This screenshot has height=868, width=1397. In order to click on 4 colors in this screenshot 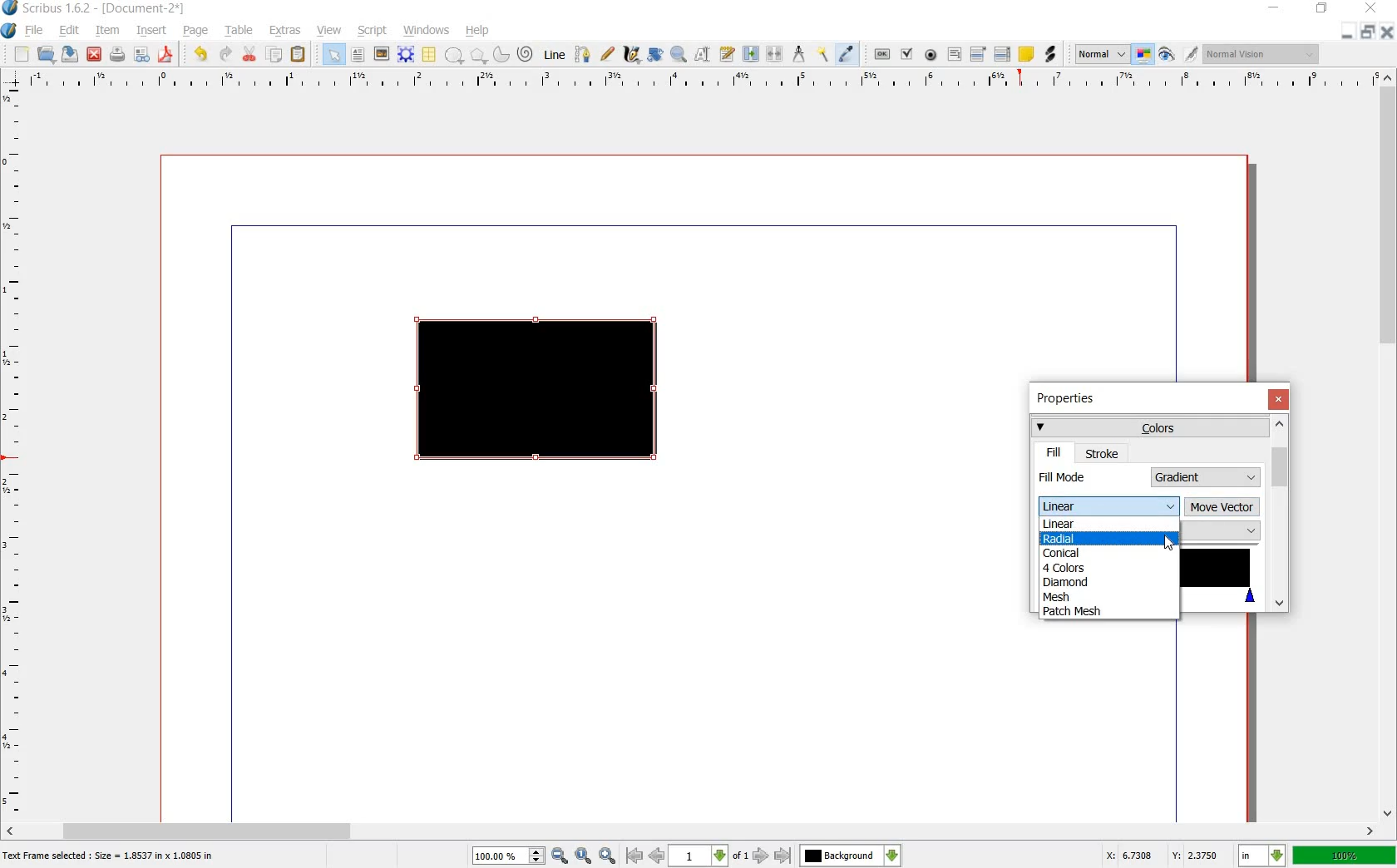, I will do `click(1066, 567)`.